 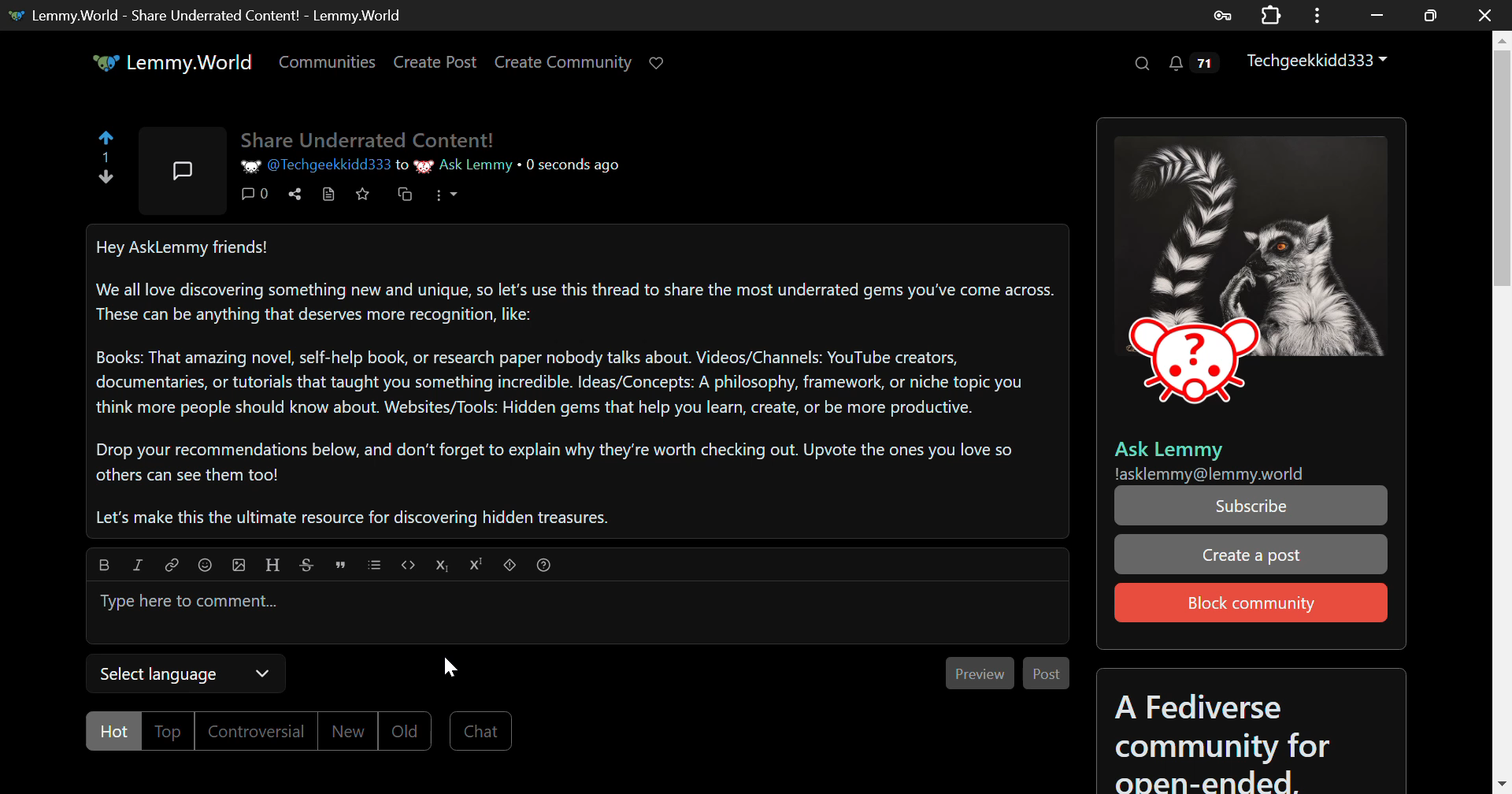 What do you see at coordinates (238, 566) in the screenshot?
I see `Insert Image` at bounding box center [238, 566].